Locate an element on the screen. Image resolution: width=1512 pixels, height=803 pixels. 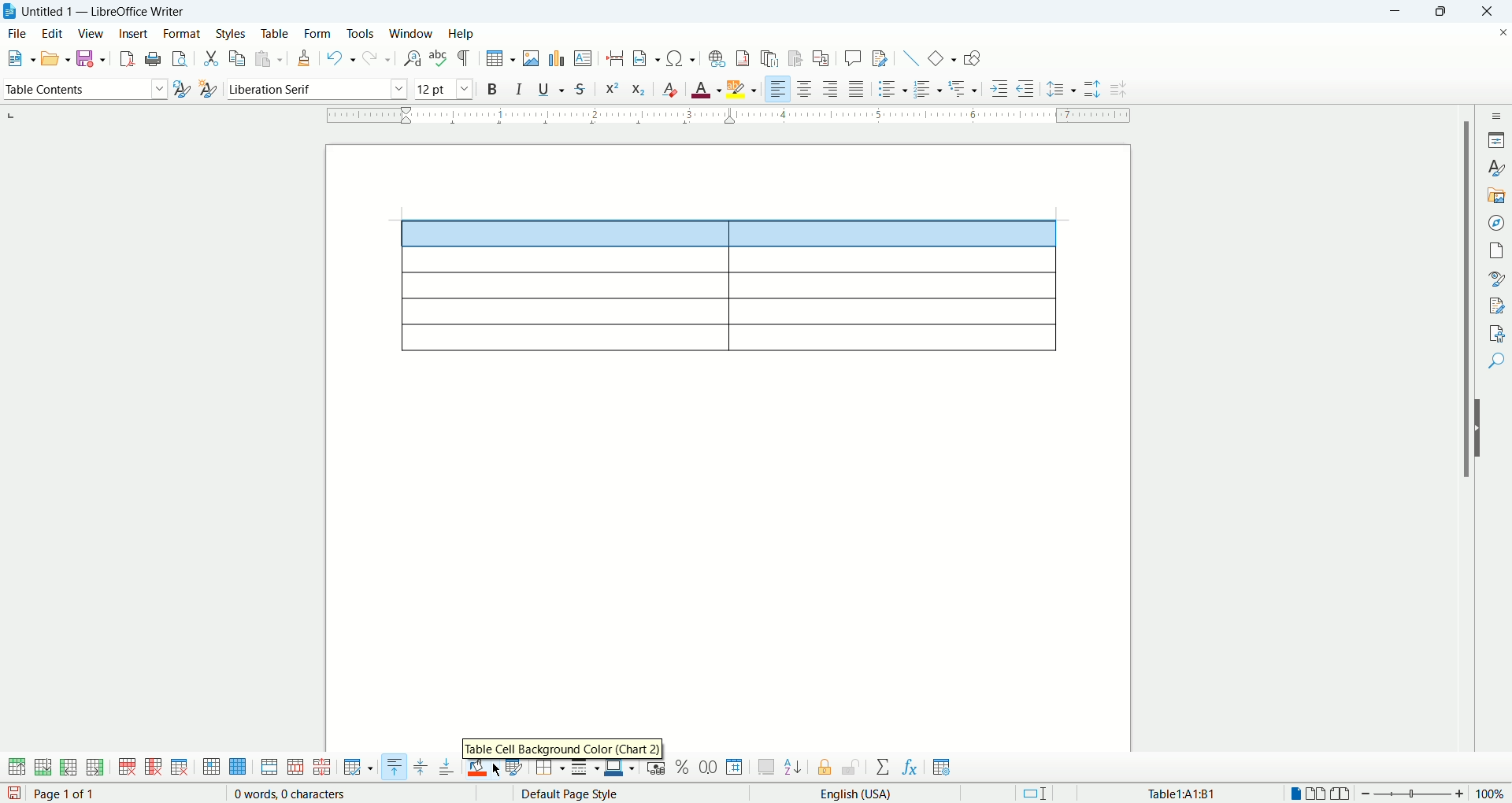
merge cells is located at coordinates (271, 767).